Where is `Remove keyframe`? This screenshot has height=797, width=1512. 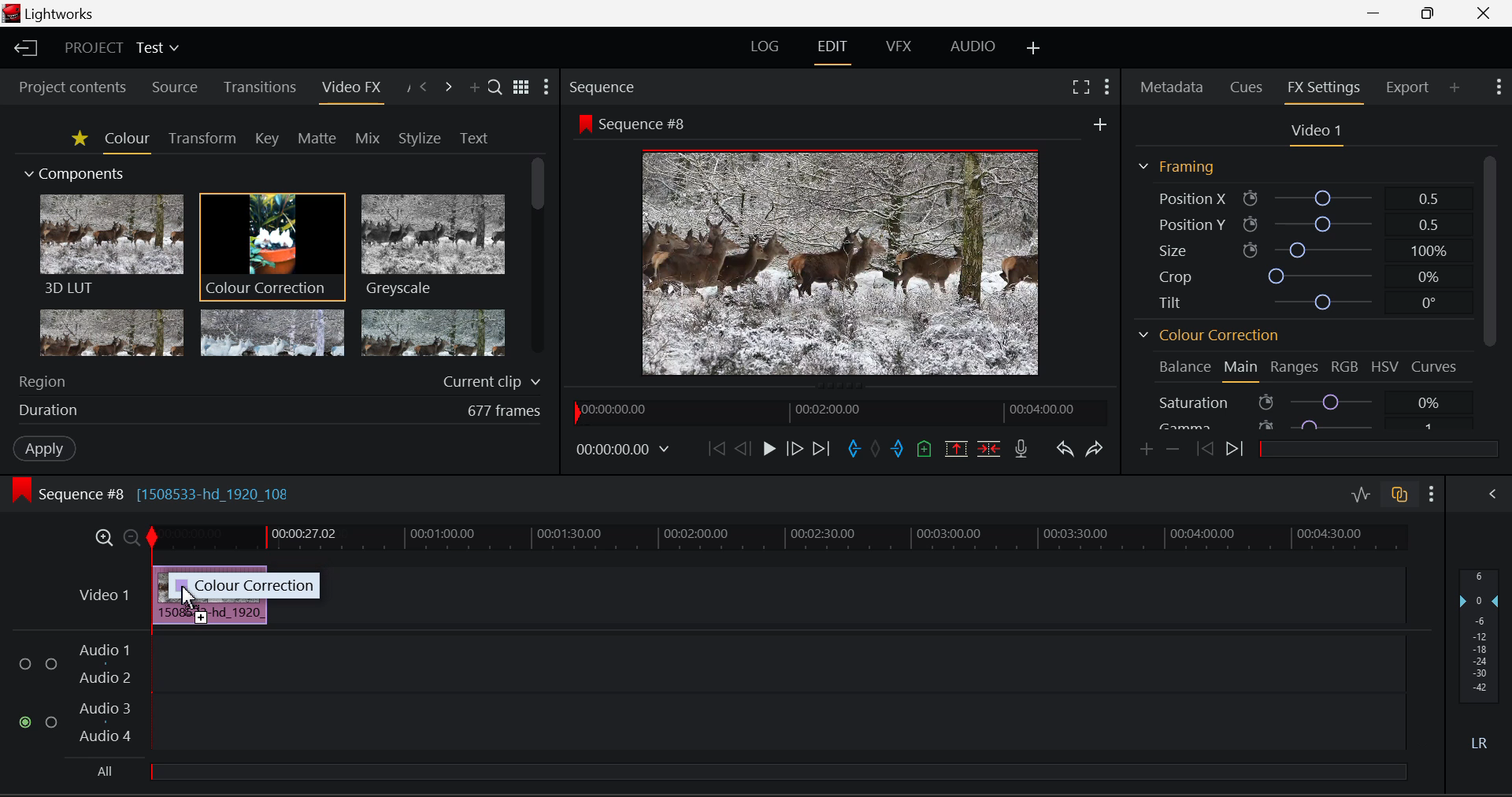 Remove keyframe is located at coordinates (1171, 451).